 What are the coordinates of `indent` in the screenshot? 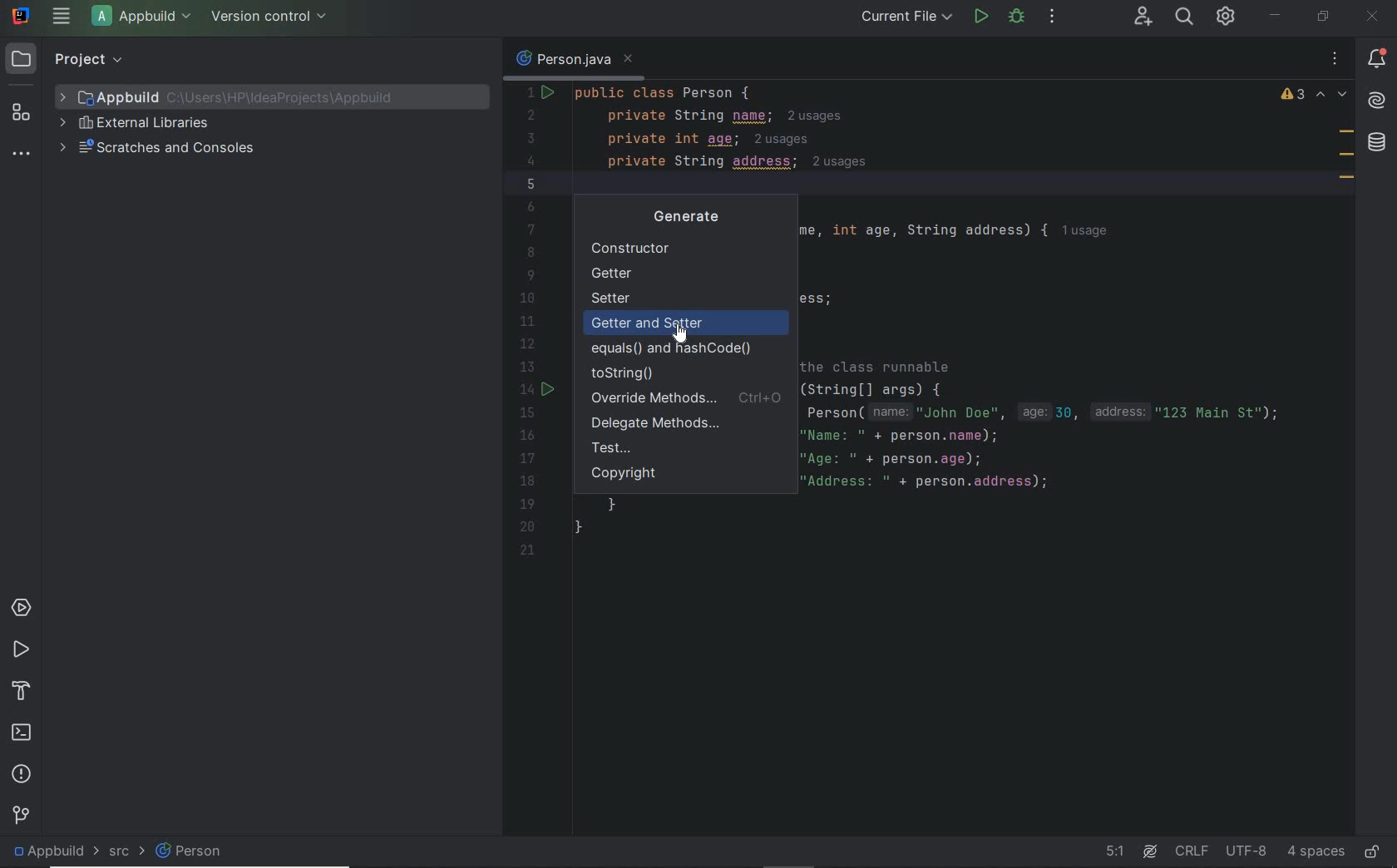 It's located at (1315, 851).